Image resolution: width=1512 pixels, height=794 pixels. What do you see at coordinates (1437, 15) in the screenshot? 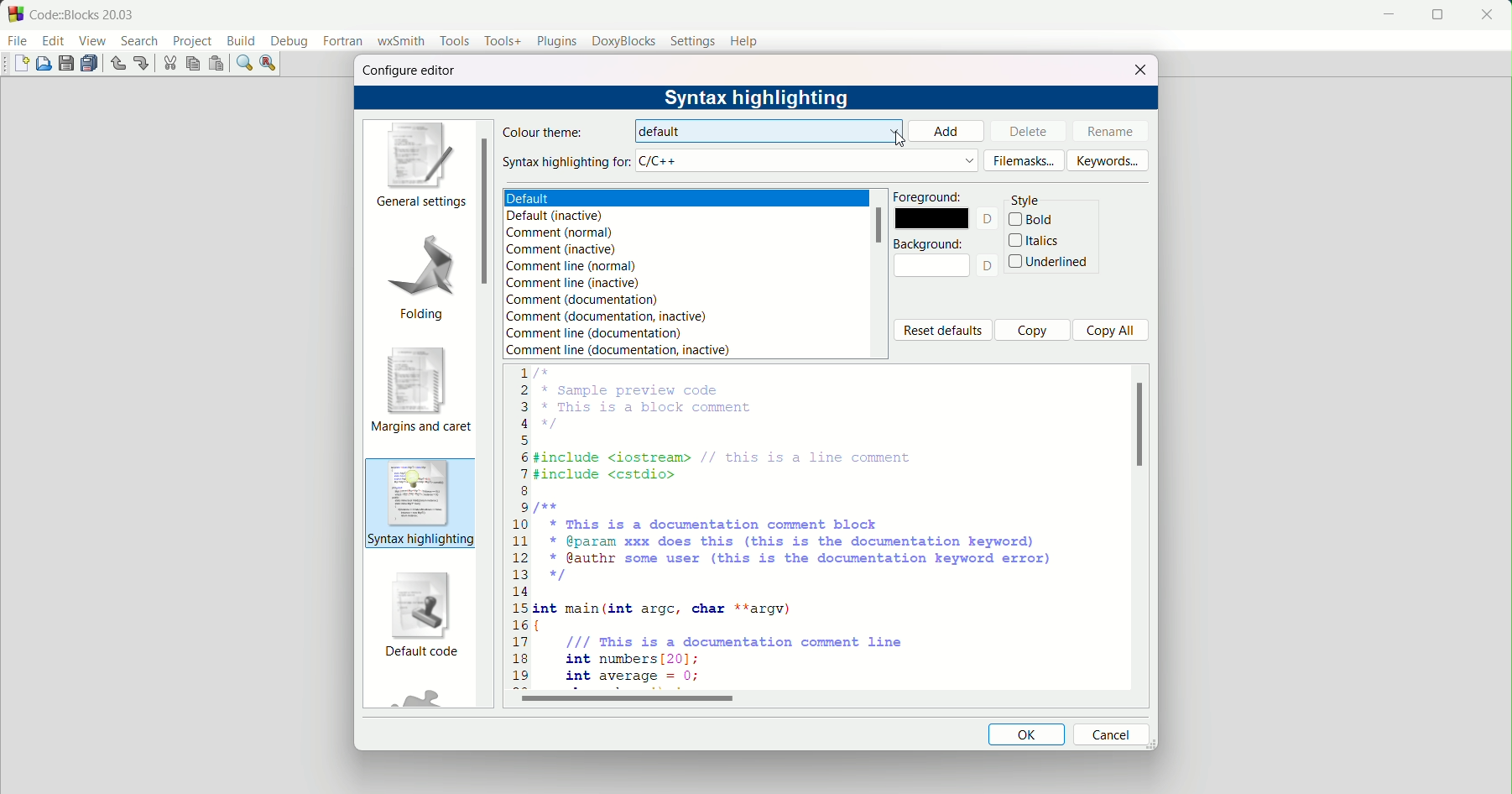
I see `fullscreen` at bounding box center [1437, 15].